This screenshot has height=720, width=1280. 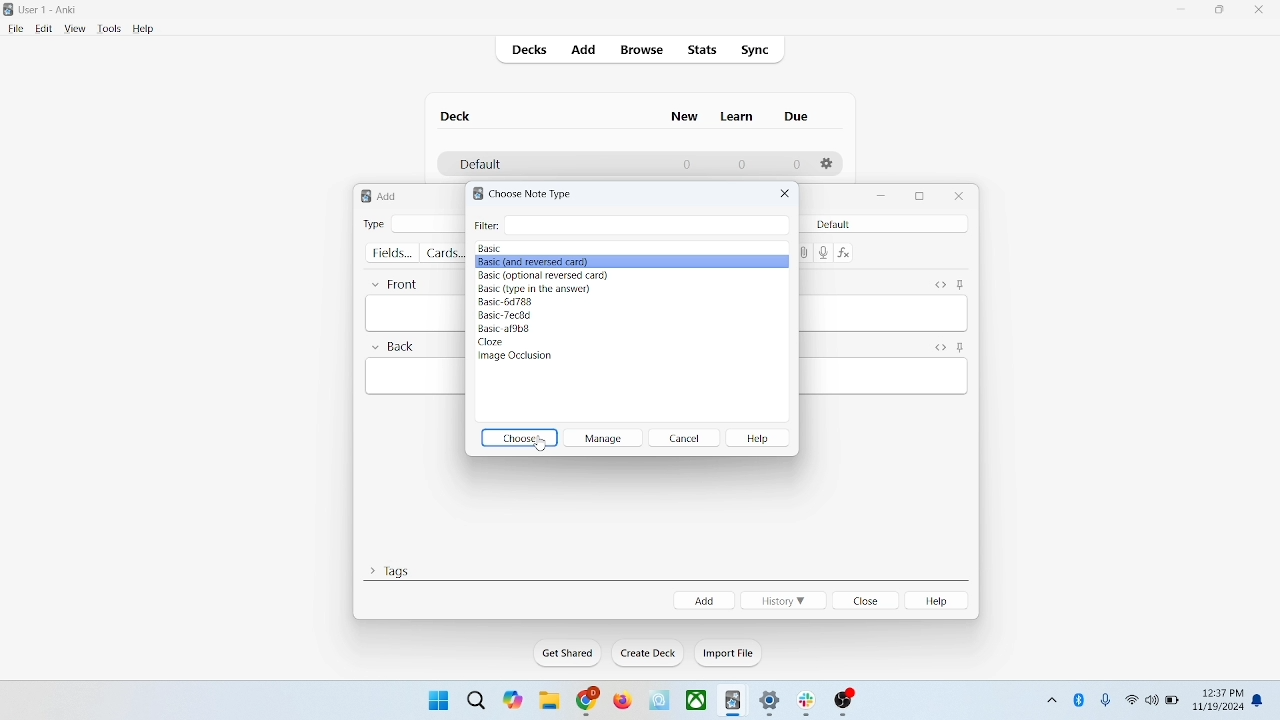 I want to click on import file, so click(x=729, y=653).